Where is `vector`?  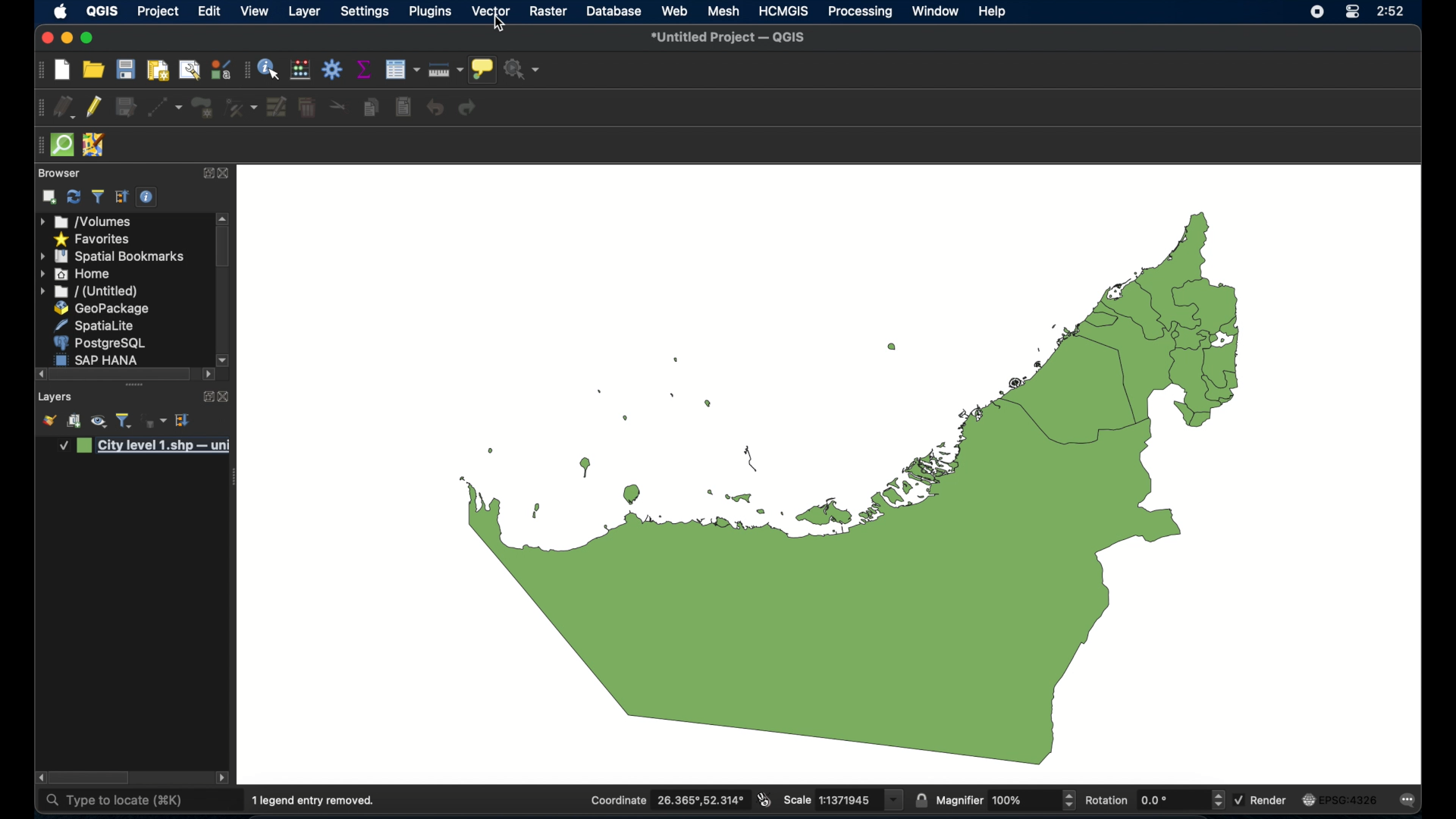 vector is located at coordinates (491, 13).